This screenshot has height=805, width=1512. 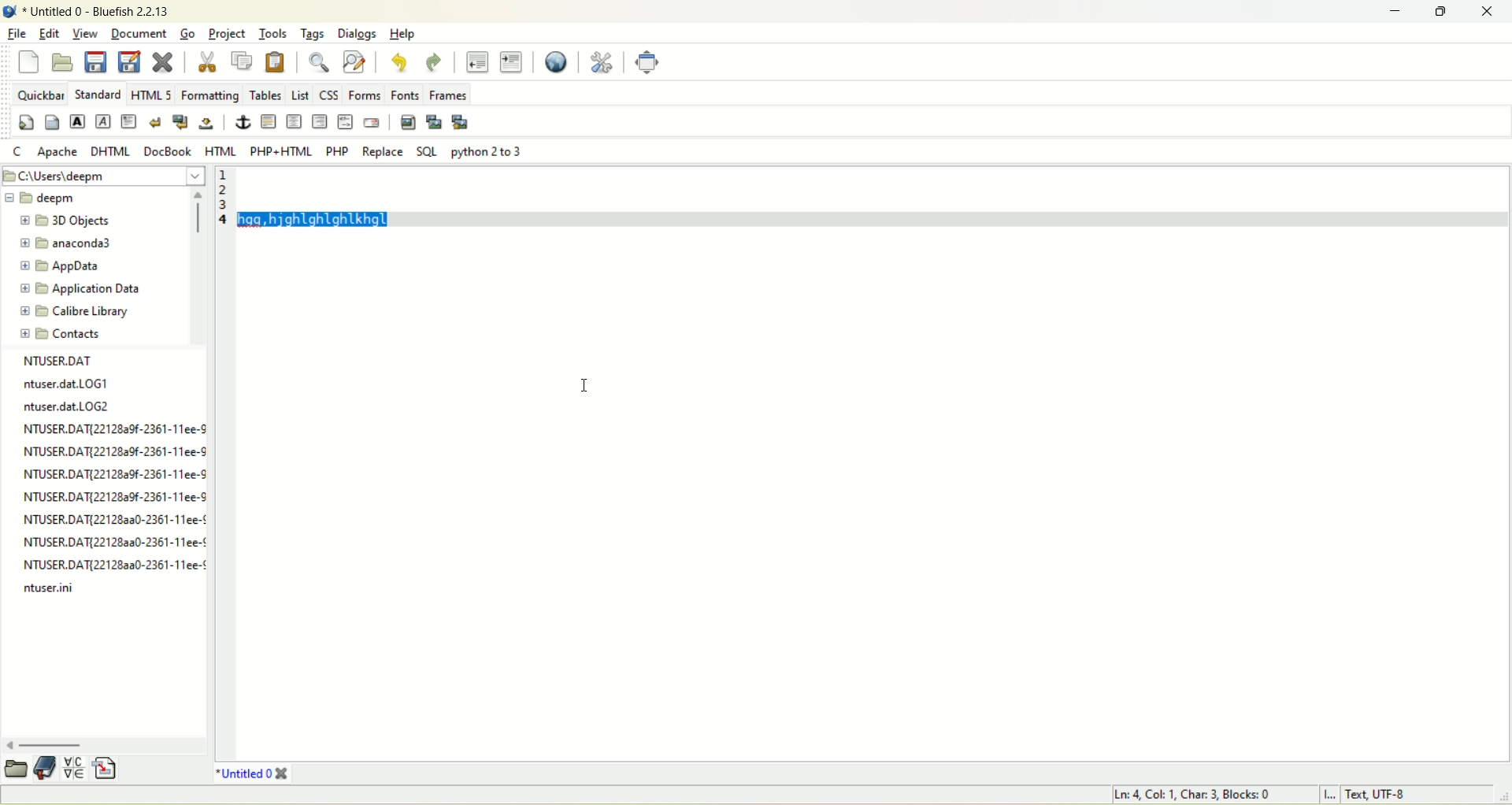 What do you see at coordinates (512, 62) in the screenshot?
I see `indent` at bounding box center [512, 62].